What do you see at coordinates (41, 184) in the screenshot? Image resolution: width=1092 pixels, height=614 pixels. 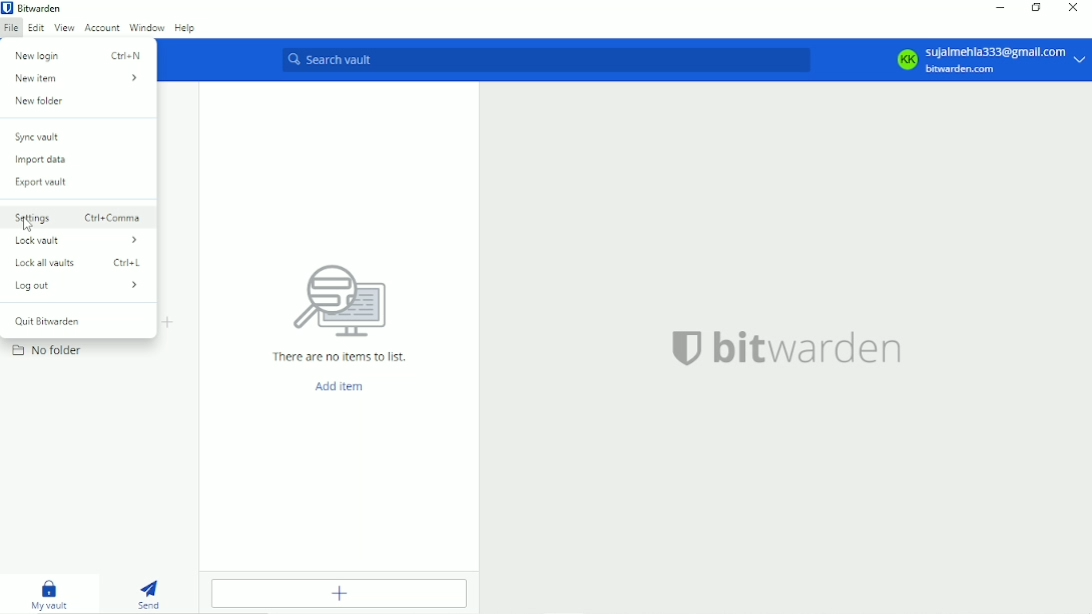 I see `Export vault` at bounding box center [41, 184].